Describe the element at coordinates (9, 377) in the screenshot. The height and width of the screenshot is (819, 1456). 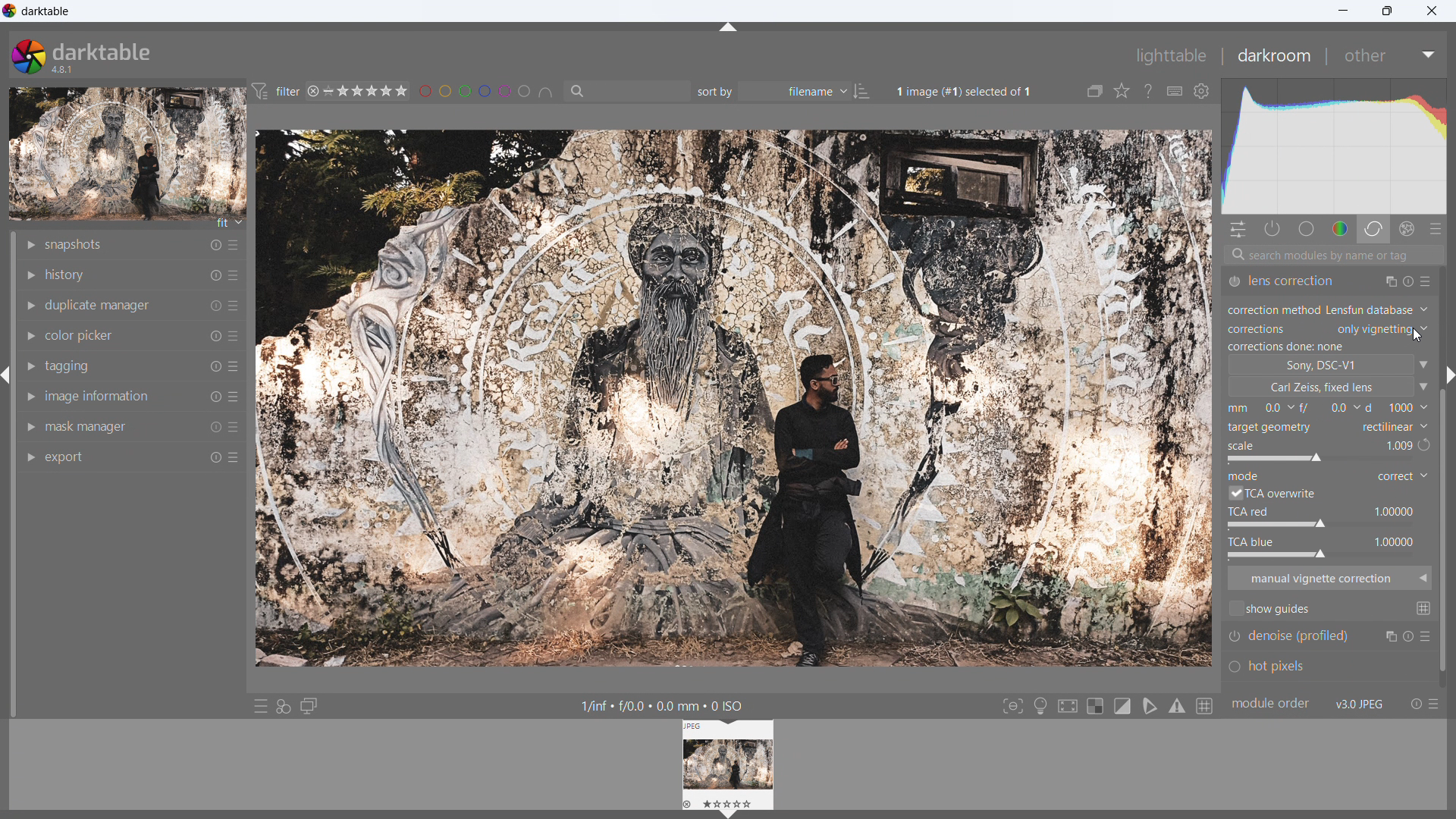
I see `hide panel` at that location.